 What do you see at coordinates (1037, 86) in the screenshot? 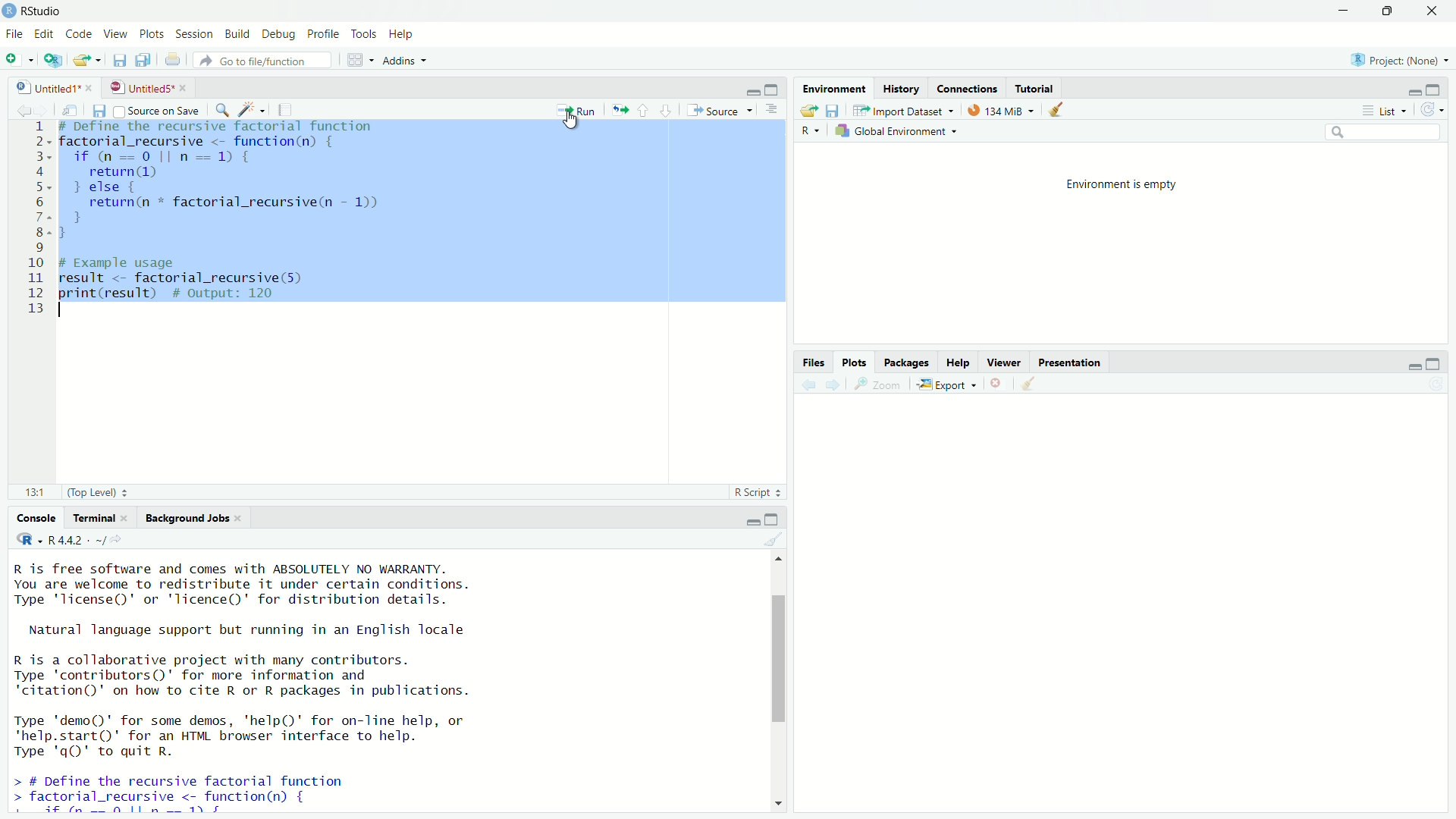
I see `Tutorial` at bounding box center [1037, 86].